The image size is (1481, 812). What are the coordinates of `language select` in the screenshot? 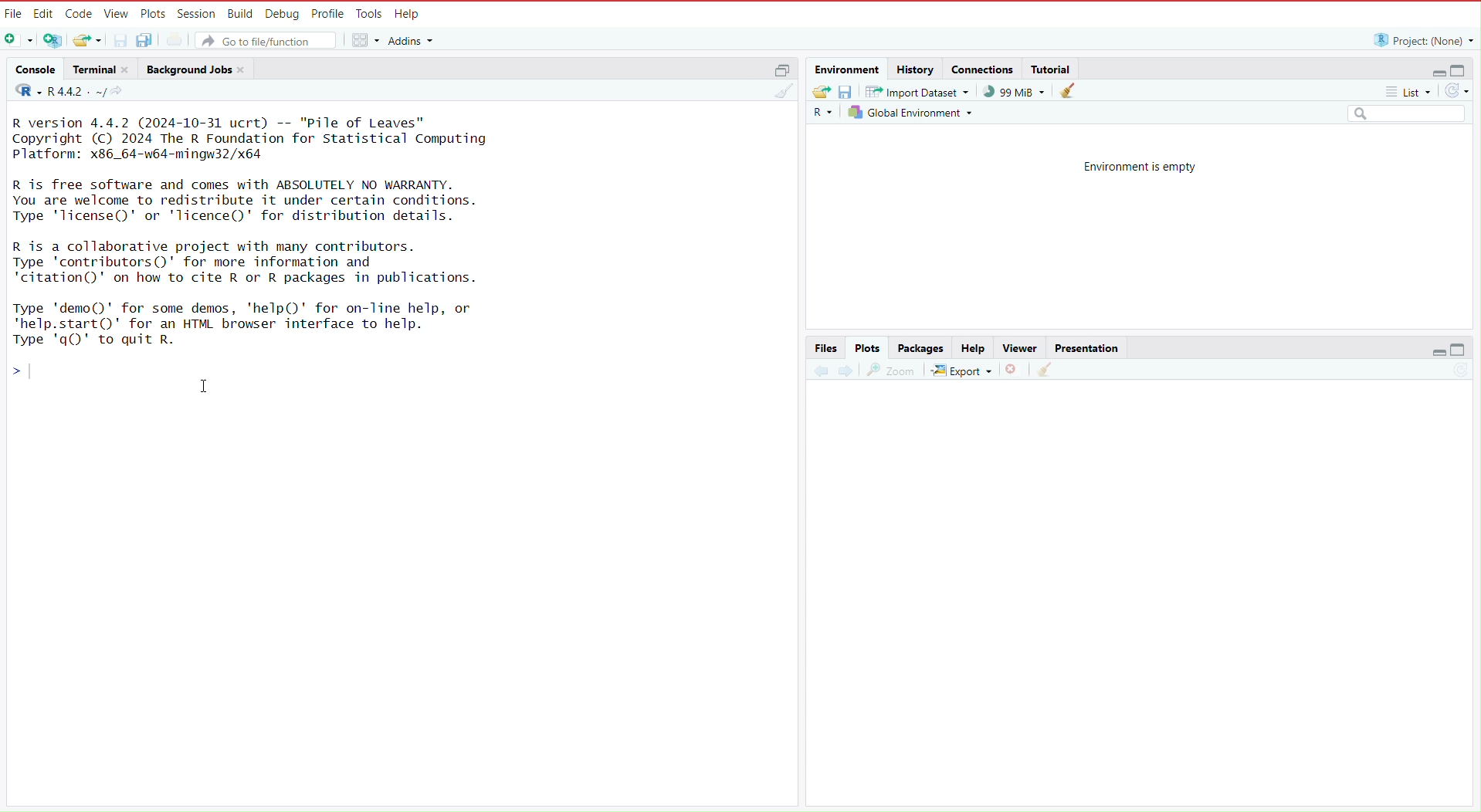 It's located at (22, 92).